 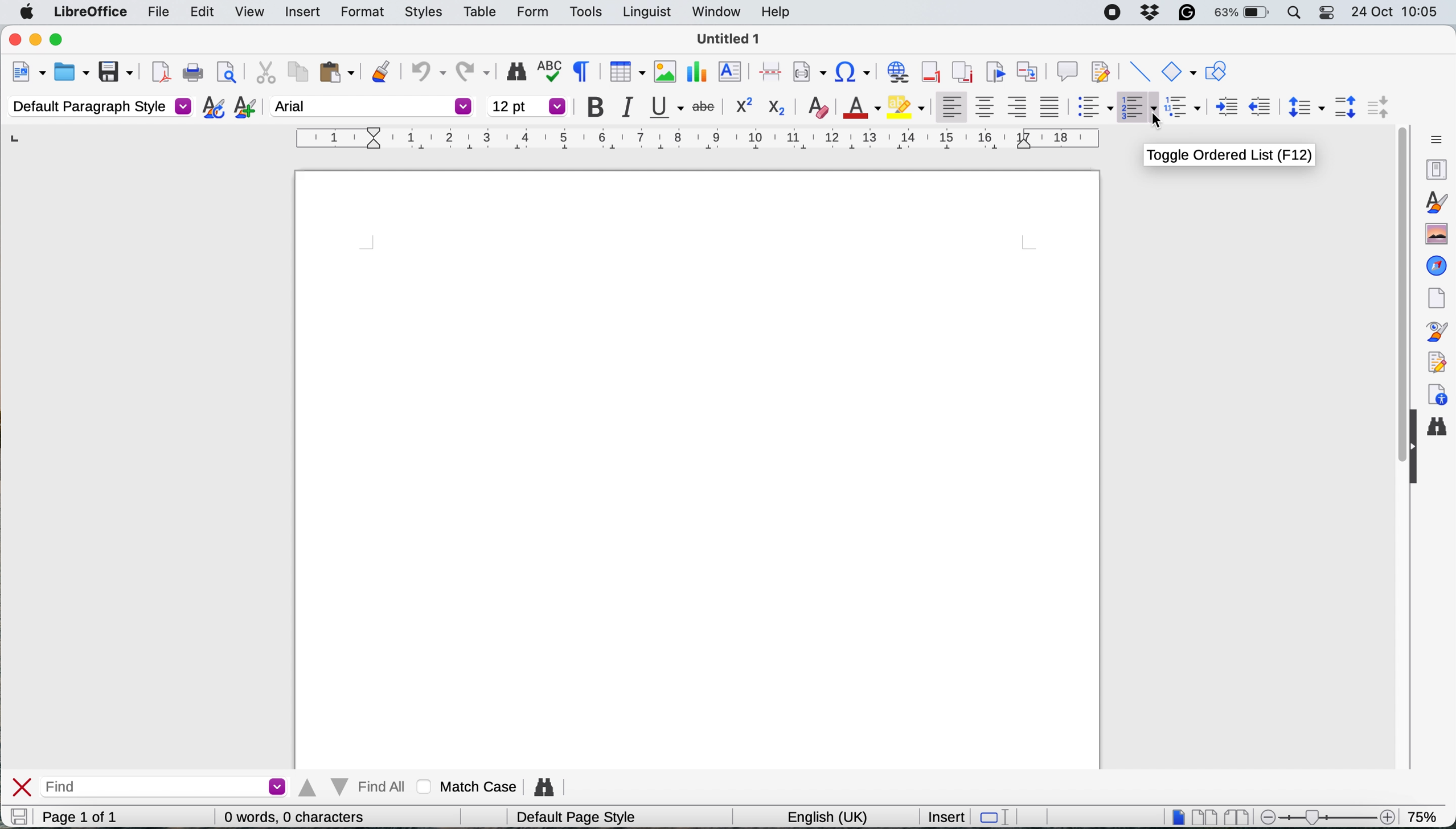 I want to click on font, so click(x=372, y=106).